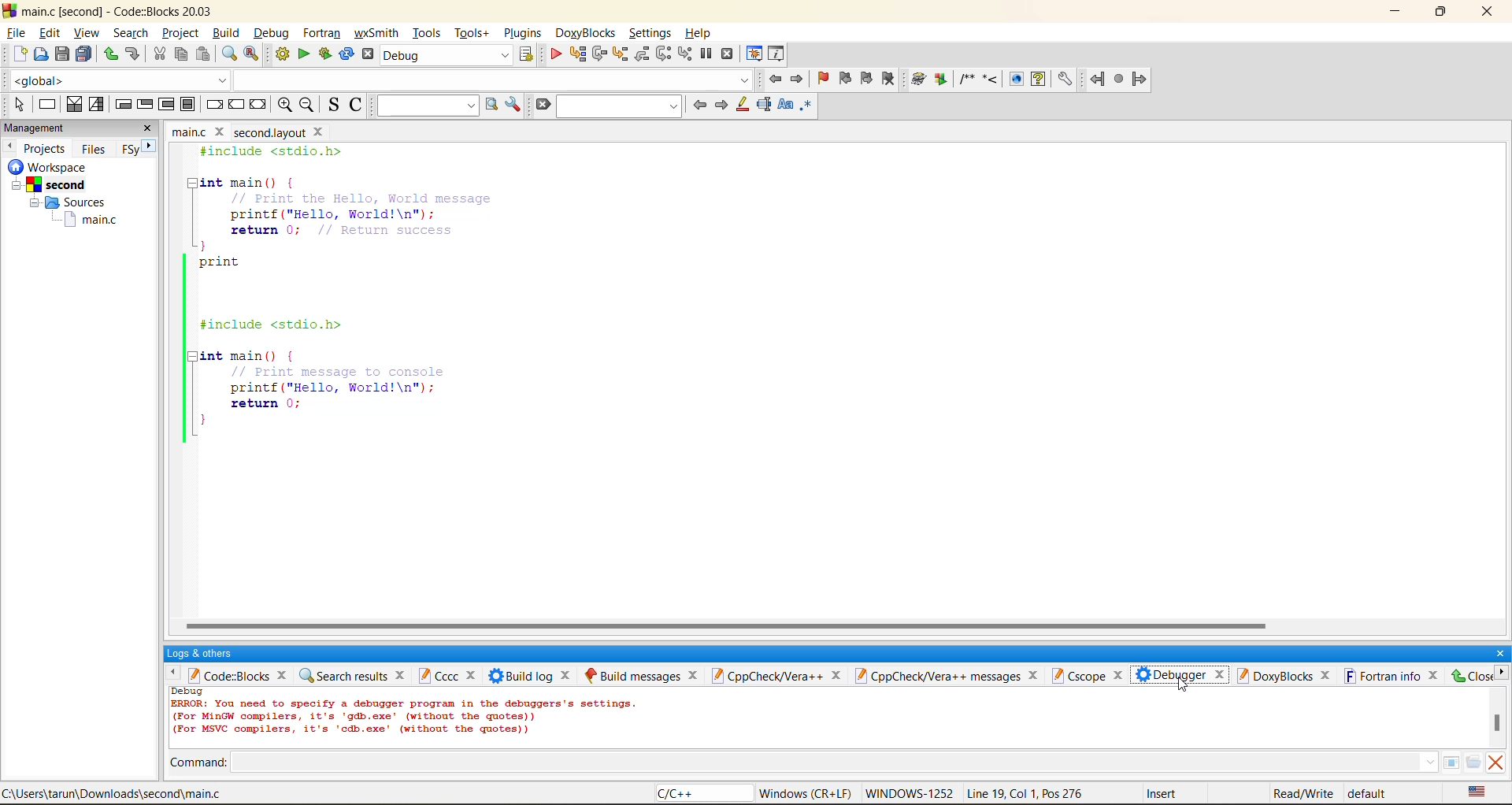 The width and height of the screenshot is (1512, 805). I want to click on jump back, so click(777, 80).